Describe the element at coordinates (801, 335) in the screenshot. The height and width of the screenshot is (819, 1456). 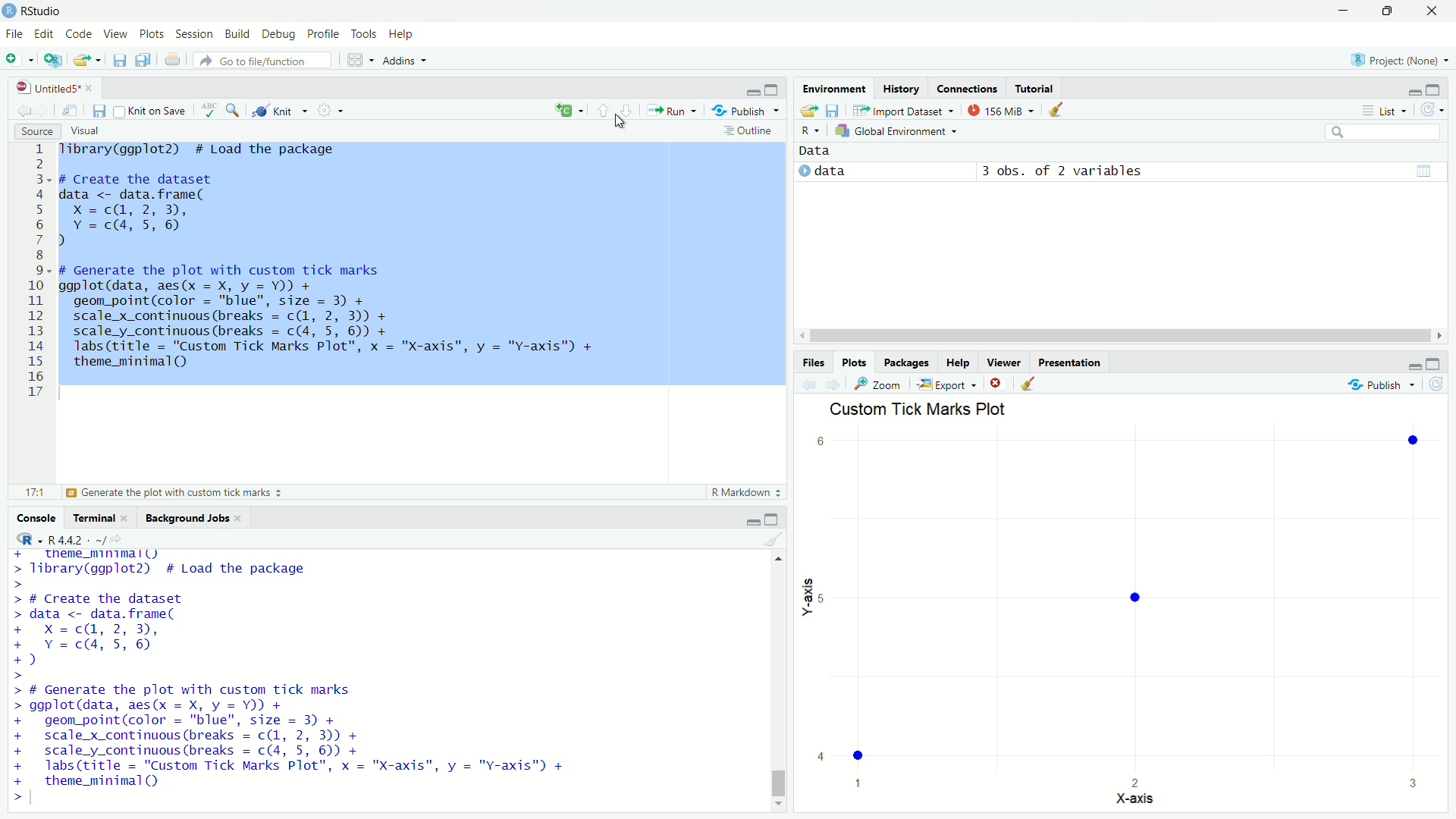
I see `move left` at that location.